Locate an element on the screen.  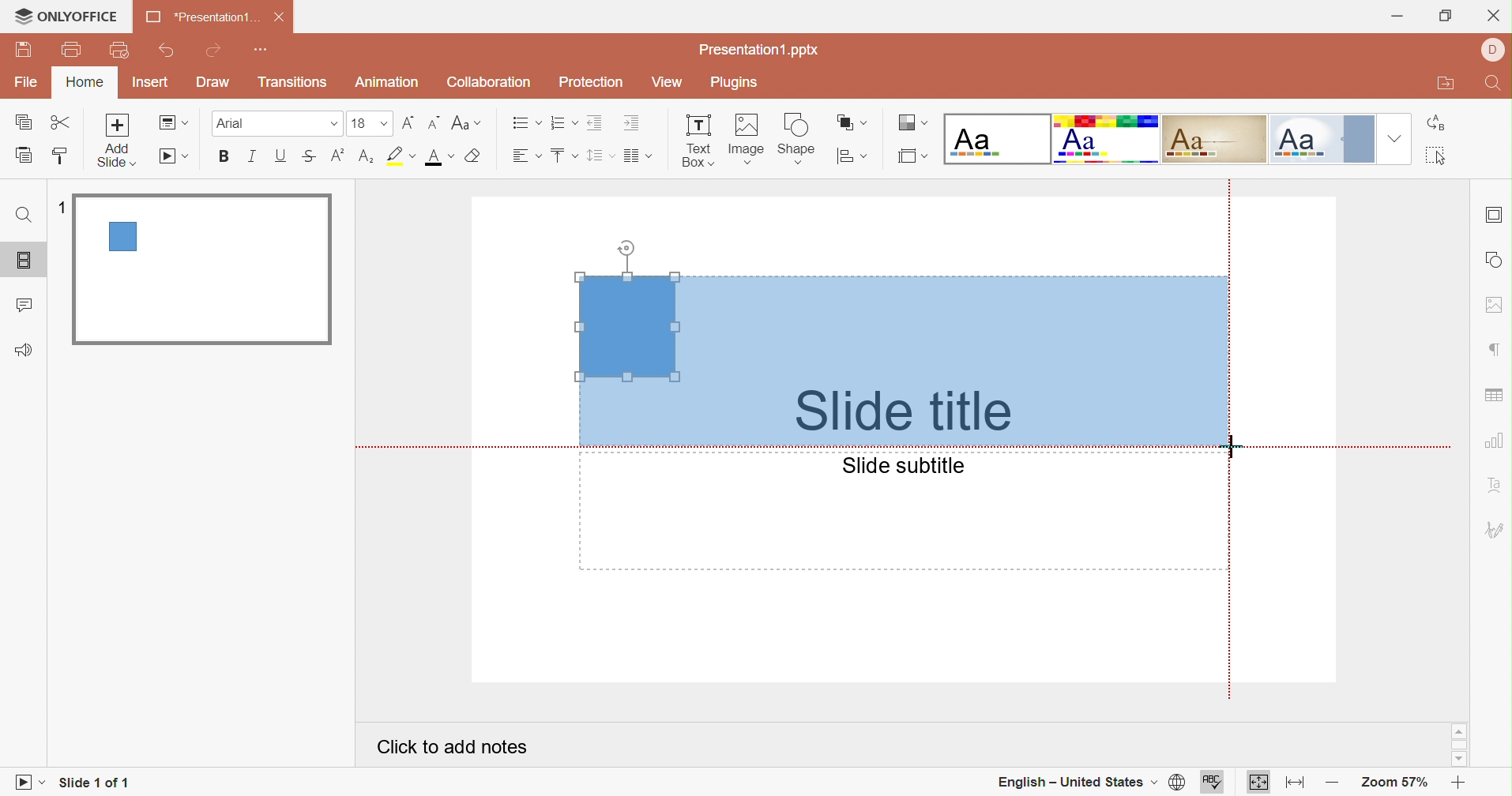
Copy style is located at coordinates (57, 157).